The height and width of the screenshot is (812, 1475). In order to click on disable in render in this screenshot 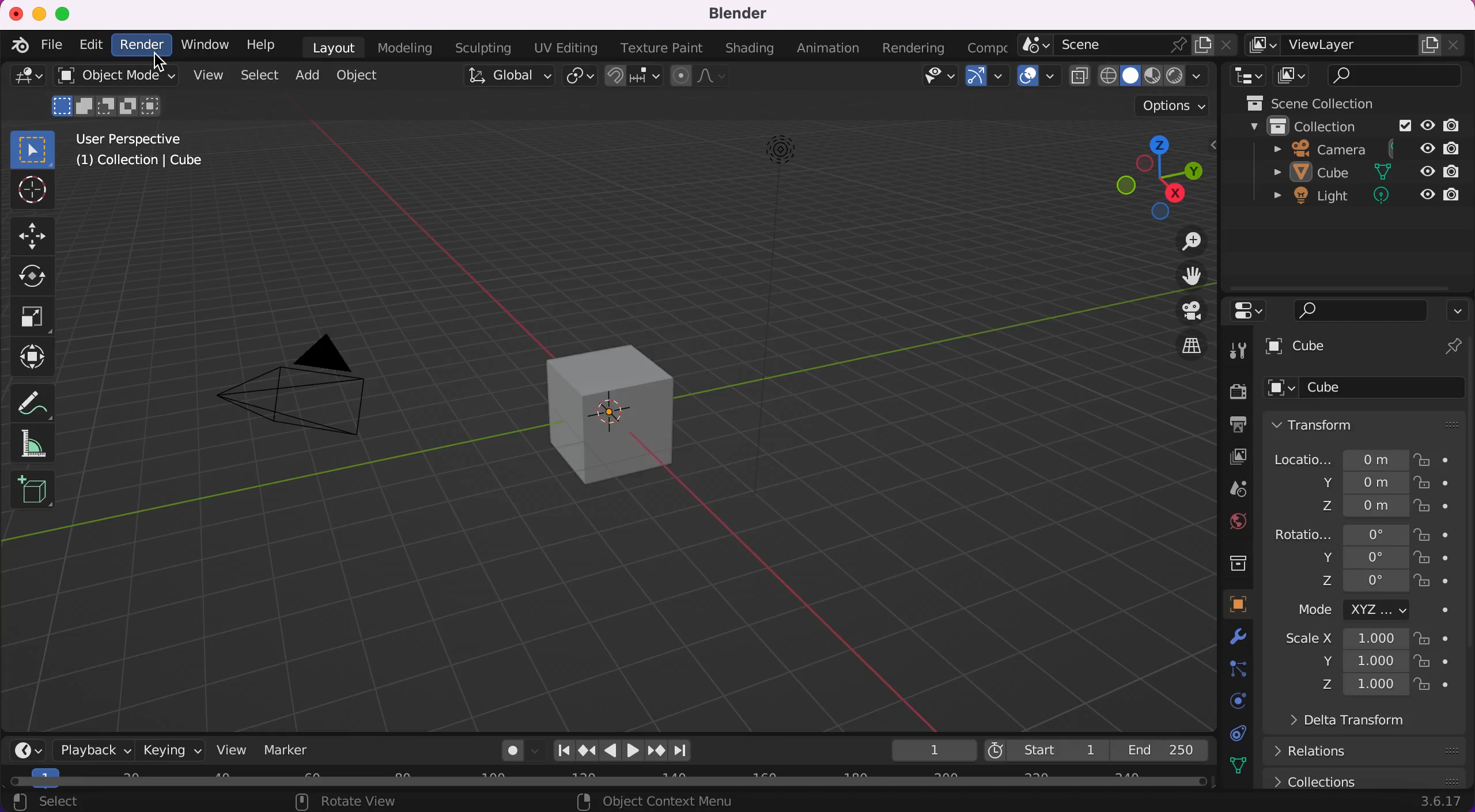, I will do `click(1458, 147)`.